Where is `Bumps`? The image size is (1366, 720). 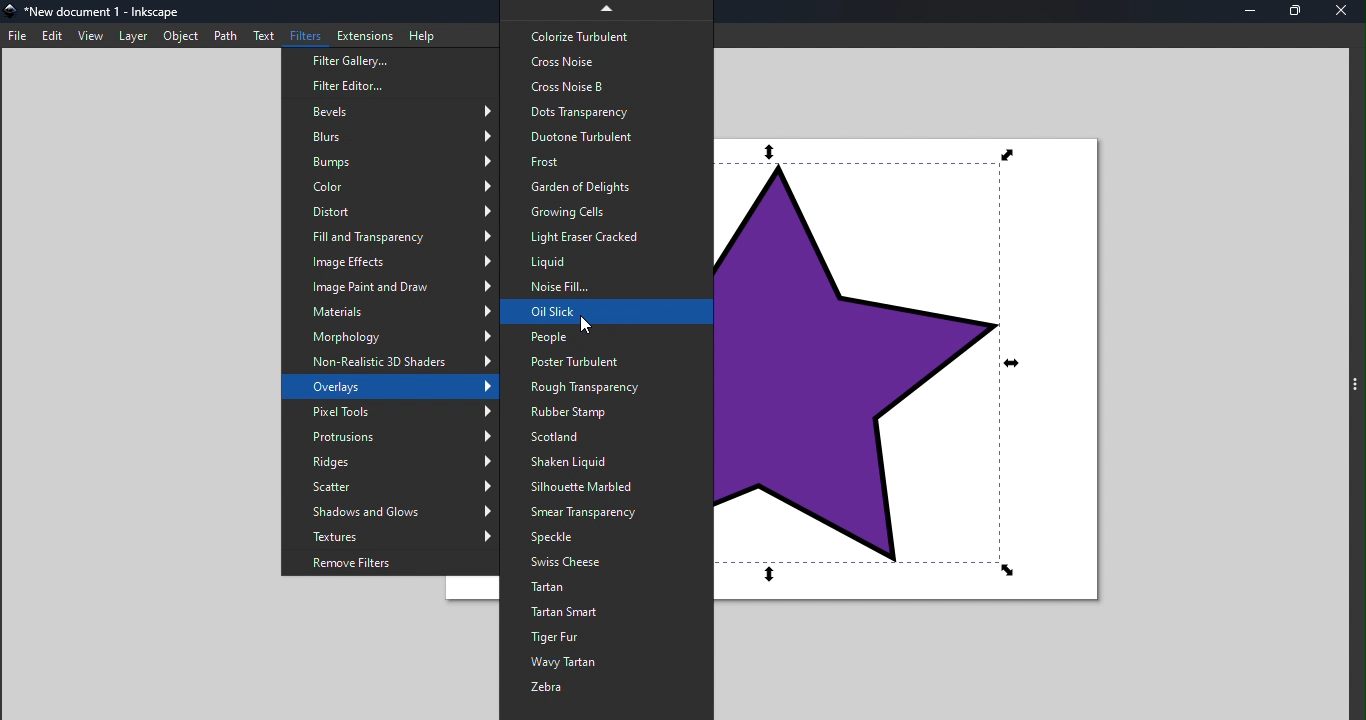
Bumps is located at coordinates (388, 161).